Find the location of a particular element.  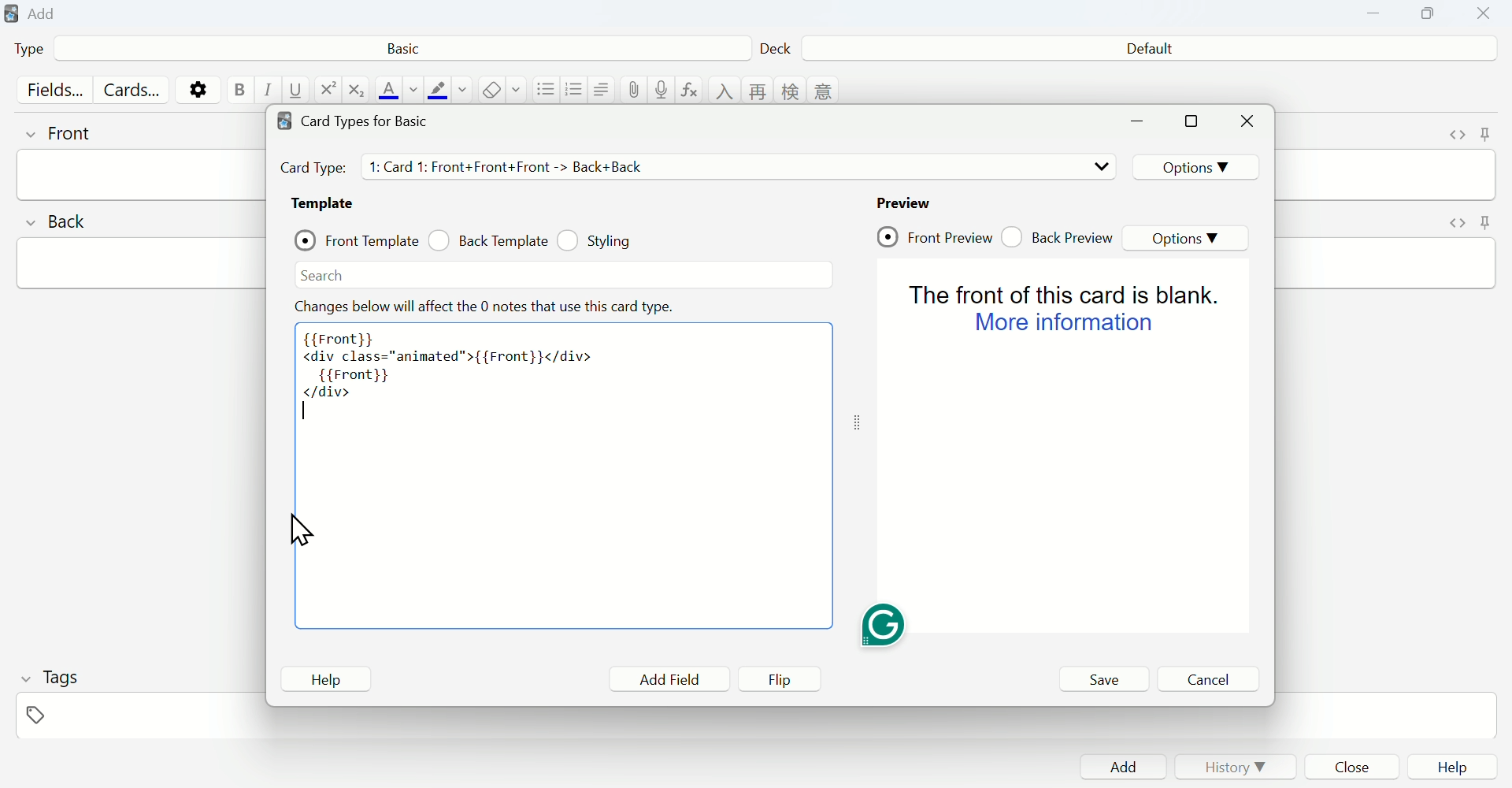

Card types for Basic is located at coordinates (363, 118).